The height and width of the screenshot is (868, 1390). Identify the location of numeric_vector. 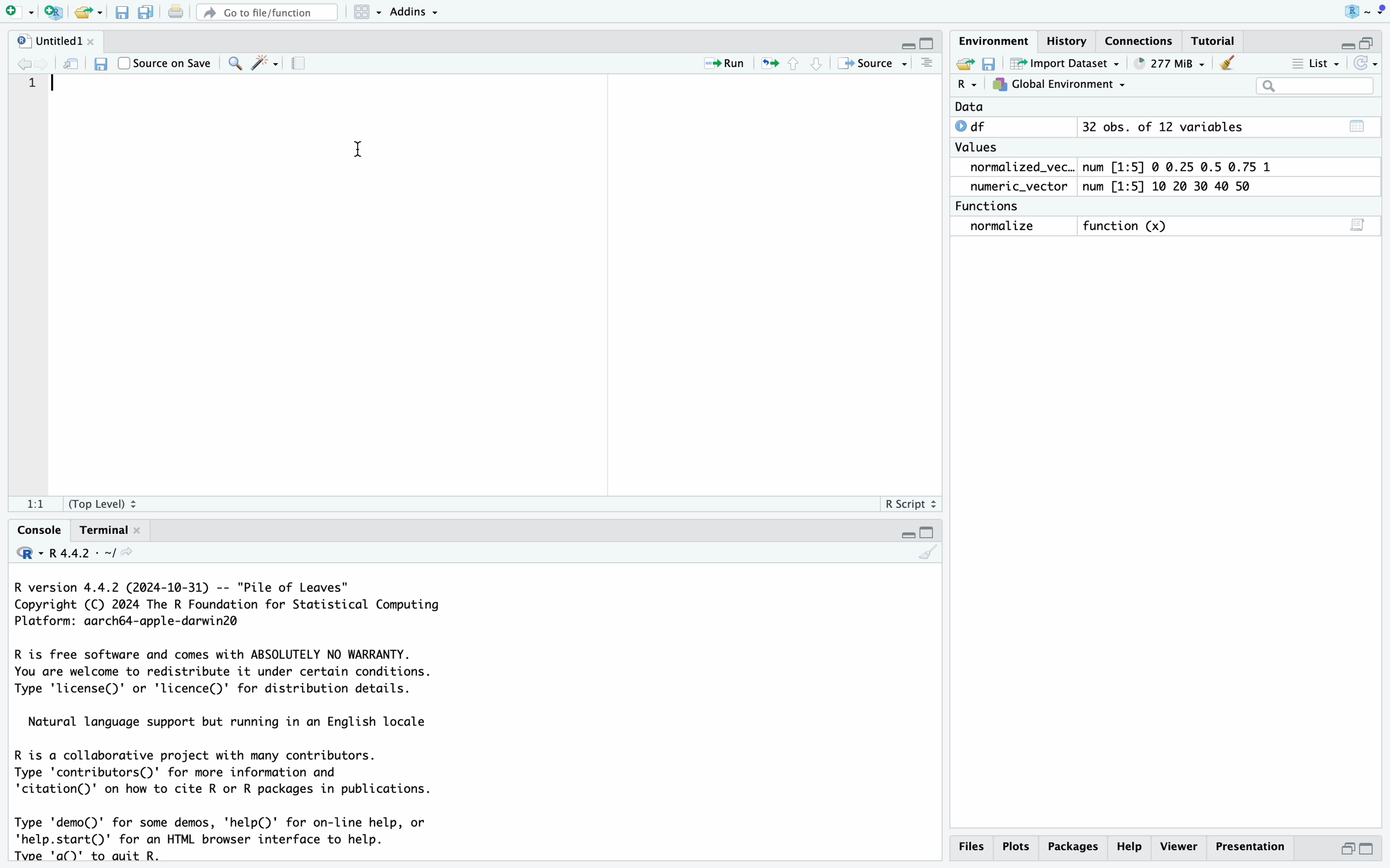
(1023, 187).